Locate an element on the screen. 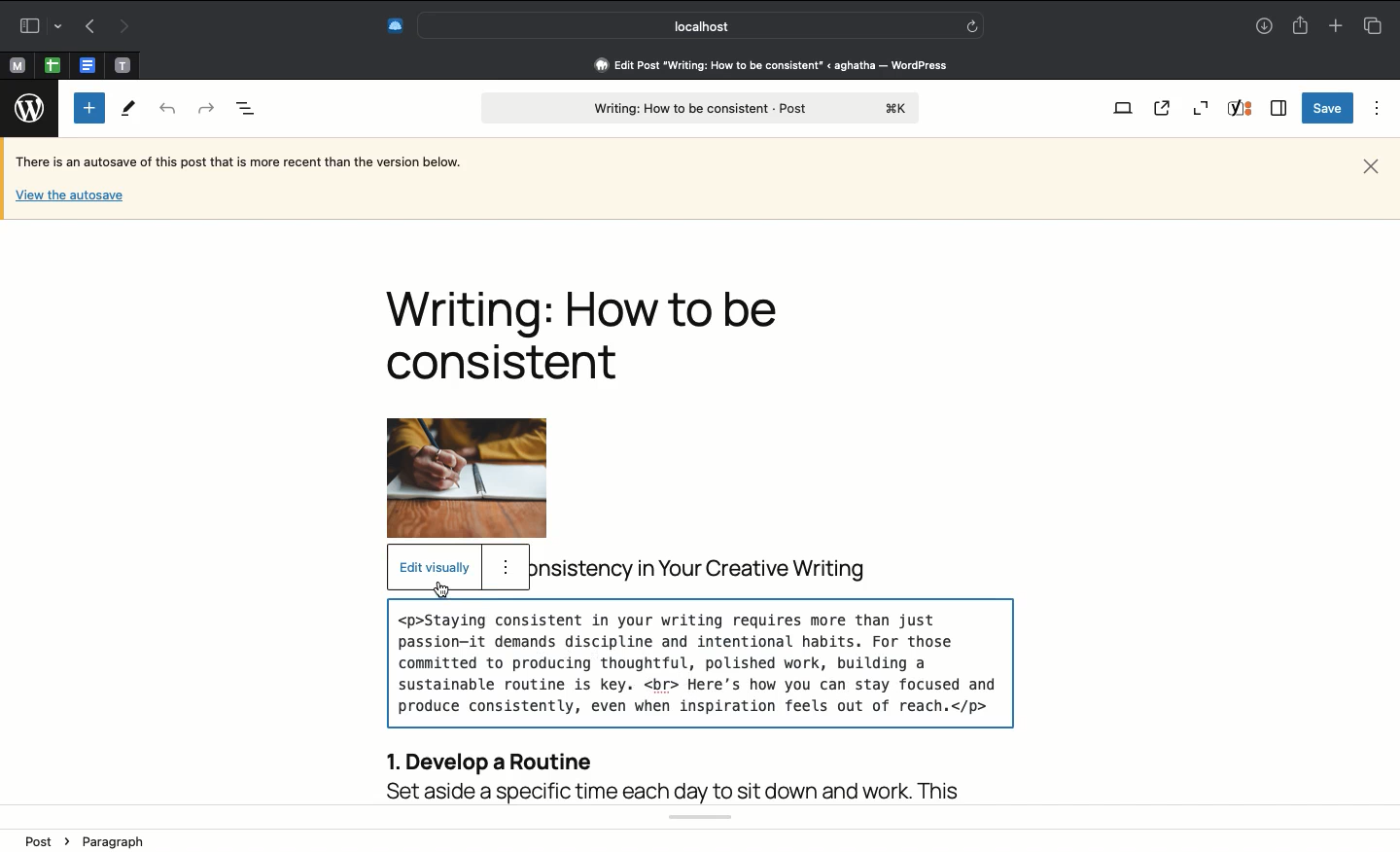 The height and width of the screenshot is (852, 1400). Redo is located at coordinates (205, 106).